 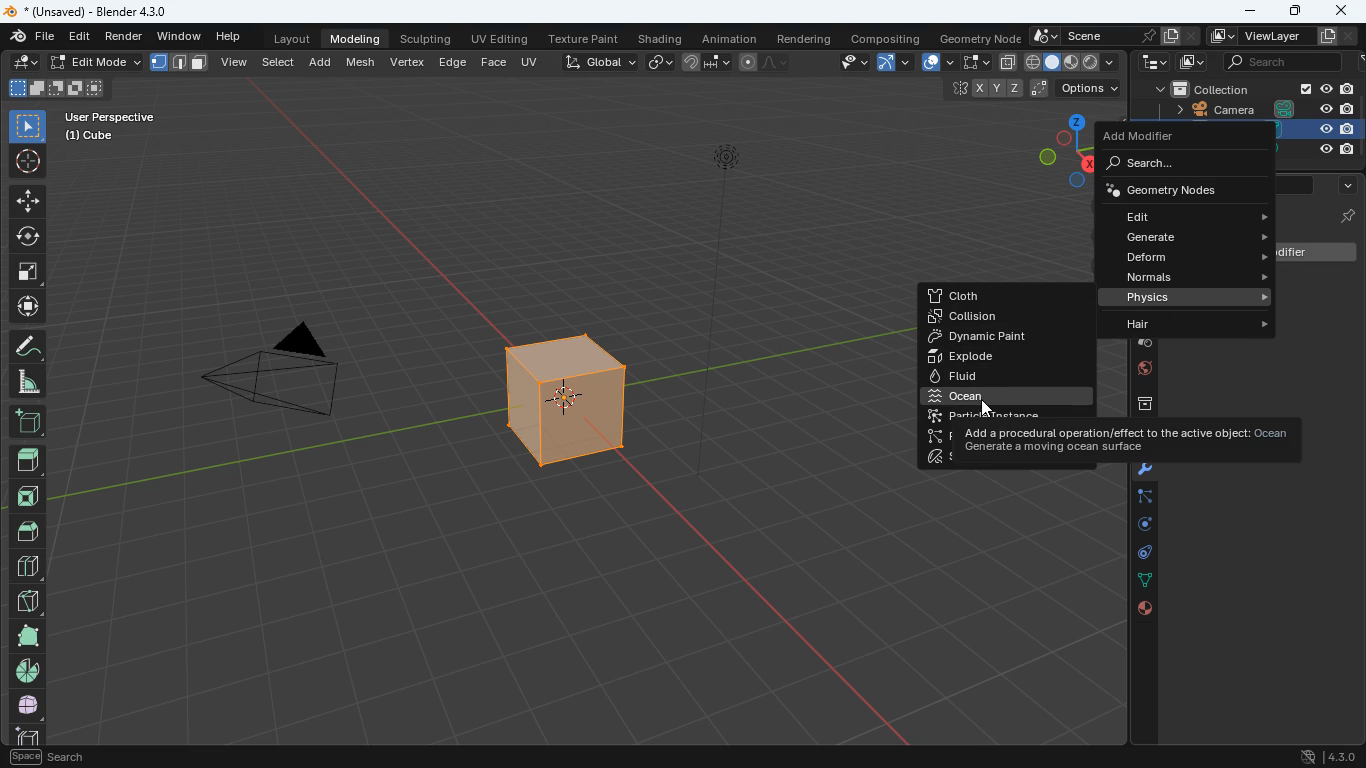 What do you see at coordinates (1293, 12) in the screenshot?
I see `maximize` at bounding box center [1293, 12].